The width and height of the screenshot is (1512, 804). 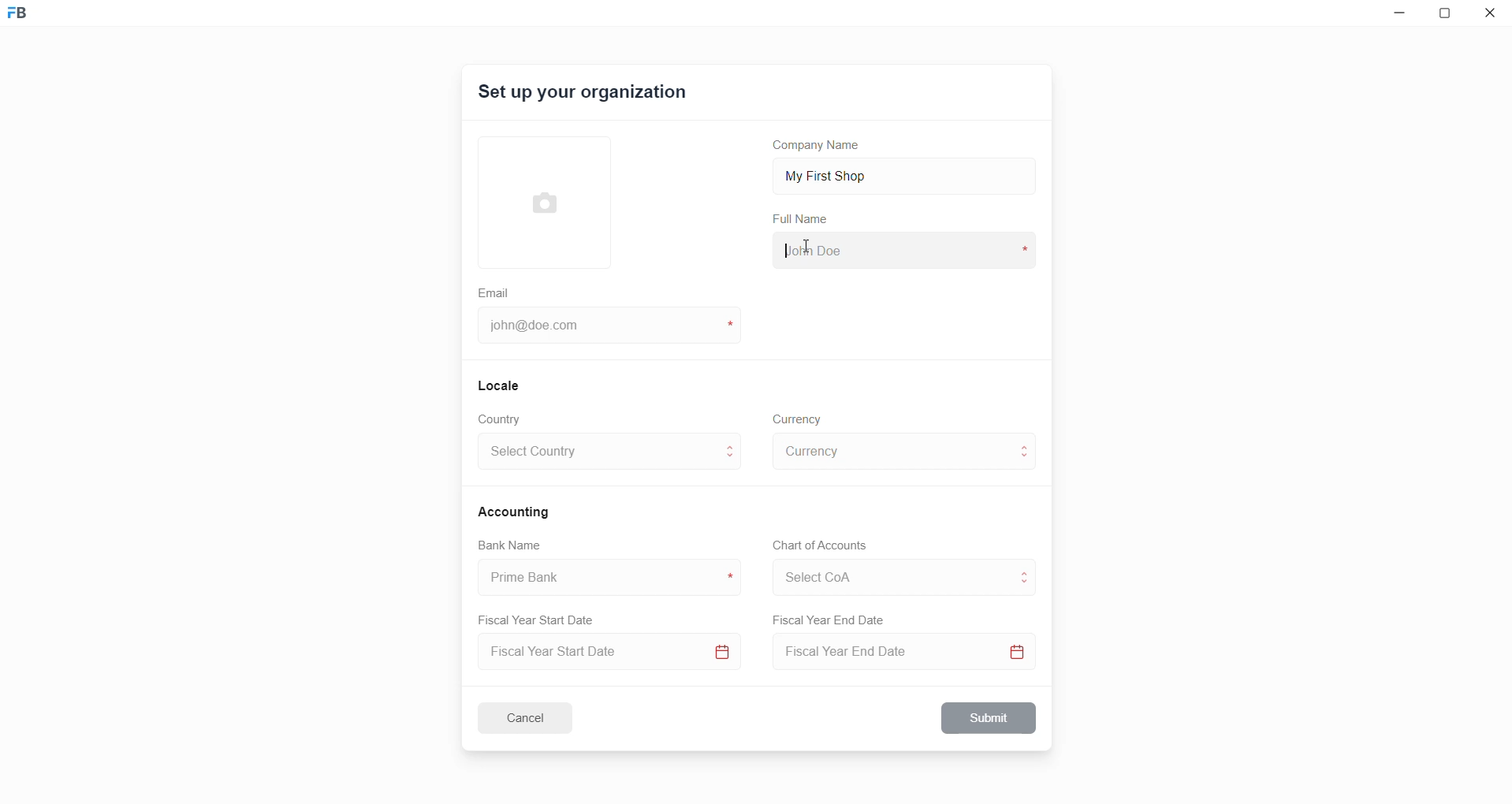 I want to click on full name input box, so click(x=902, y=249).